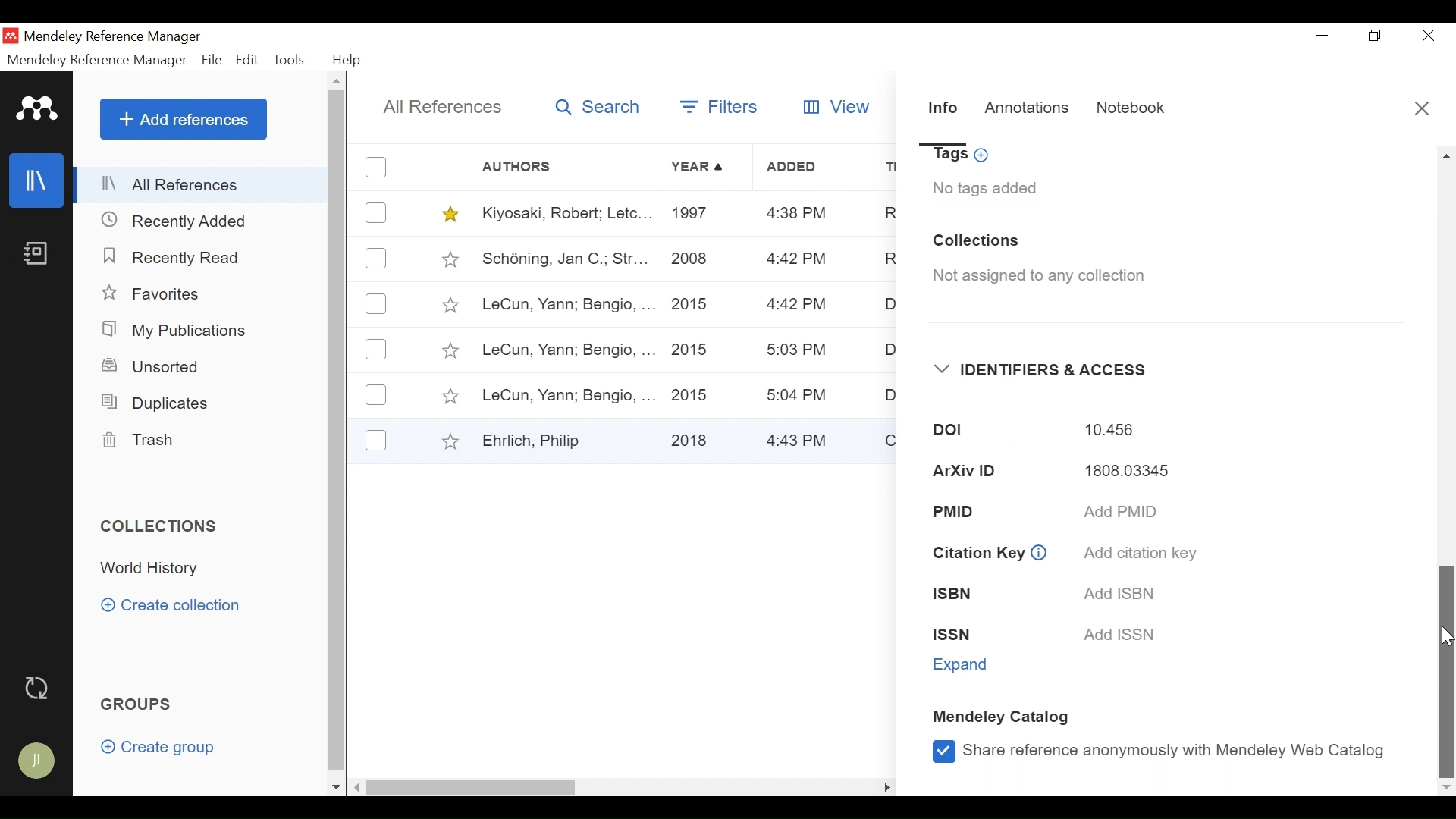 The image size is (1456, 819). Describe the element at coordinates (378, 304) in the screenshot. I see `(un)select` at that location.